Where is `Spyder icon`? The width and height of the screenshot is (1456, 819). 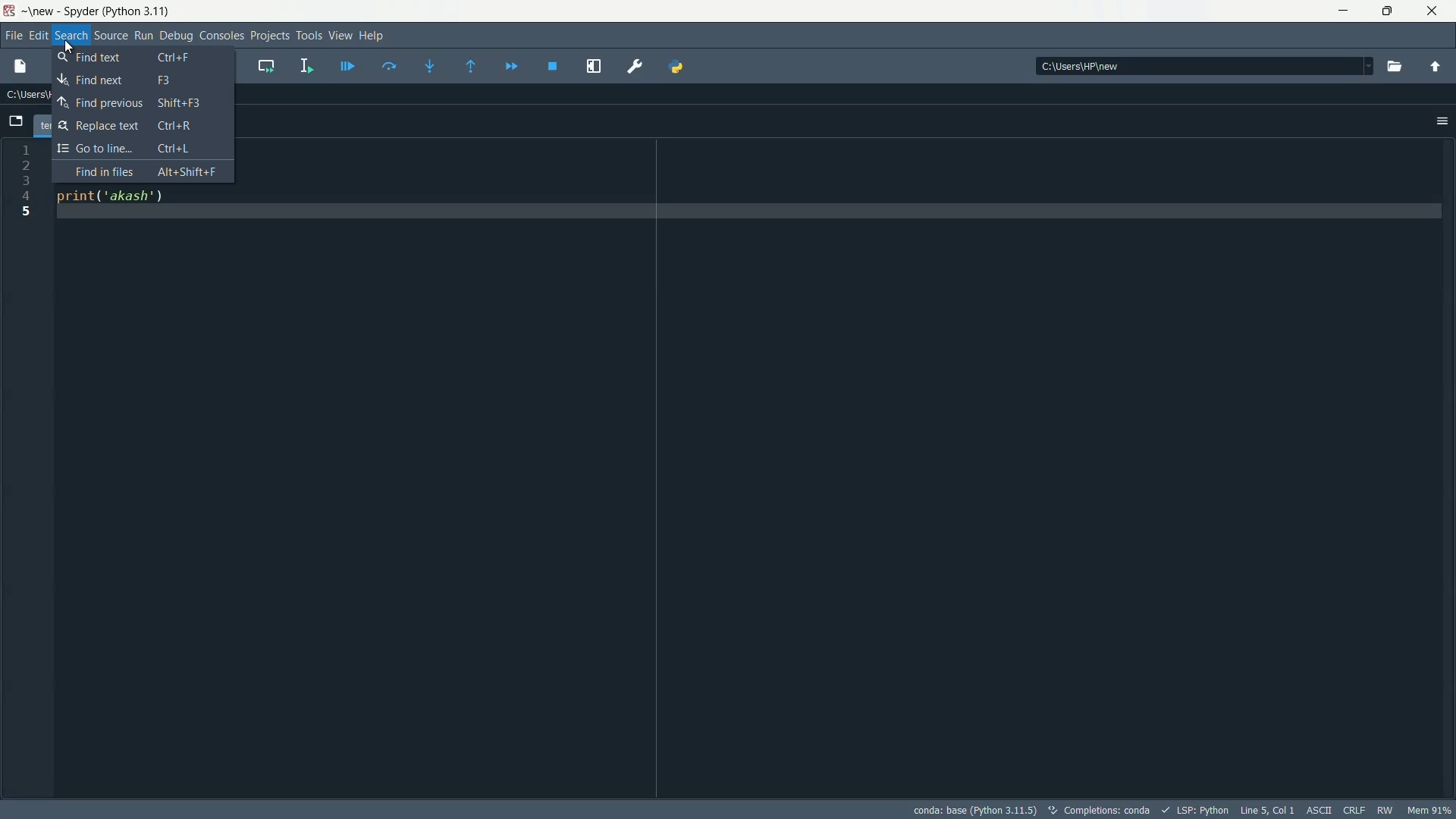 Spyder icon is located at coordinates (11, 11).